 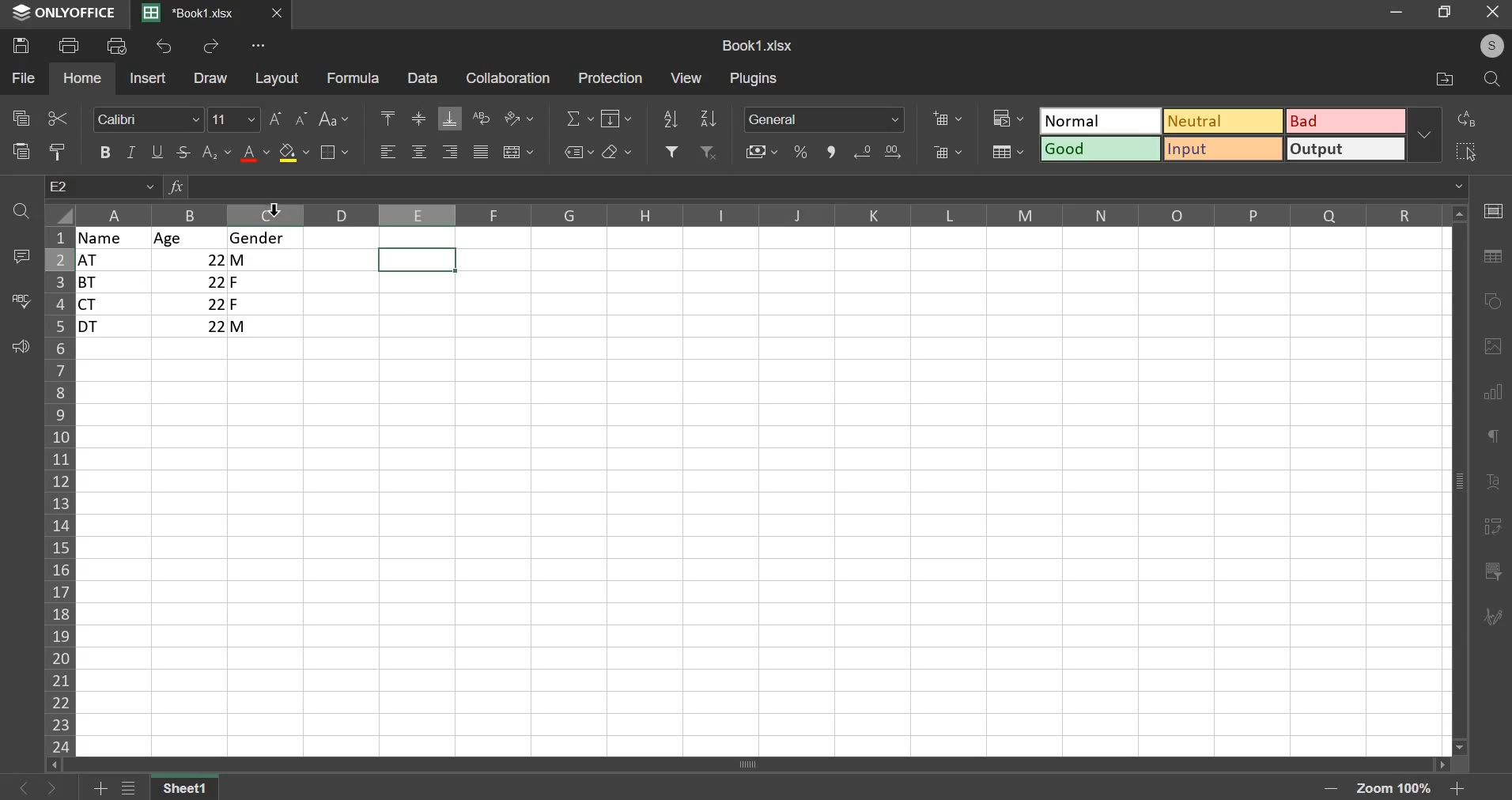 What do you see at coordinates (191, 281) in the screenshot?
I see `22` at bounding box center [191, 281].